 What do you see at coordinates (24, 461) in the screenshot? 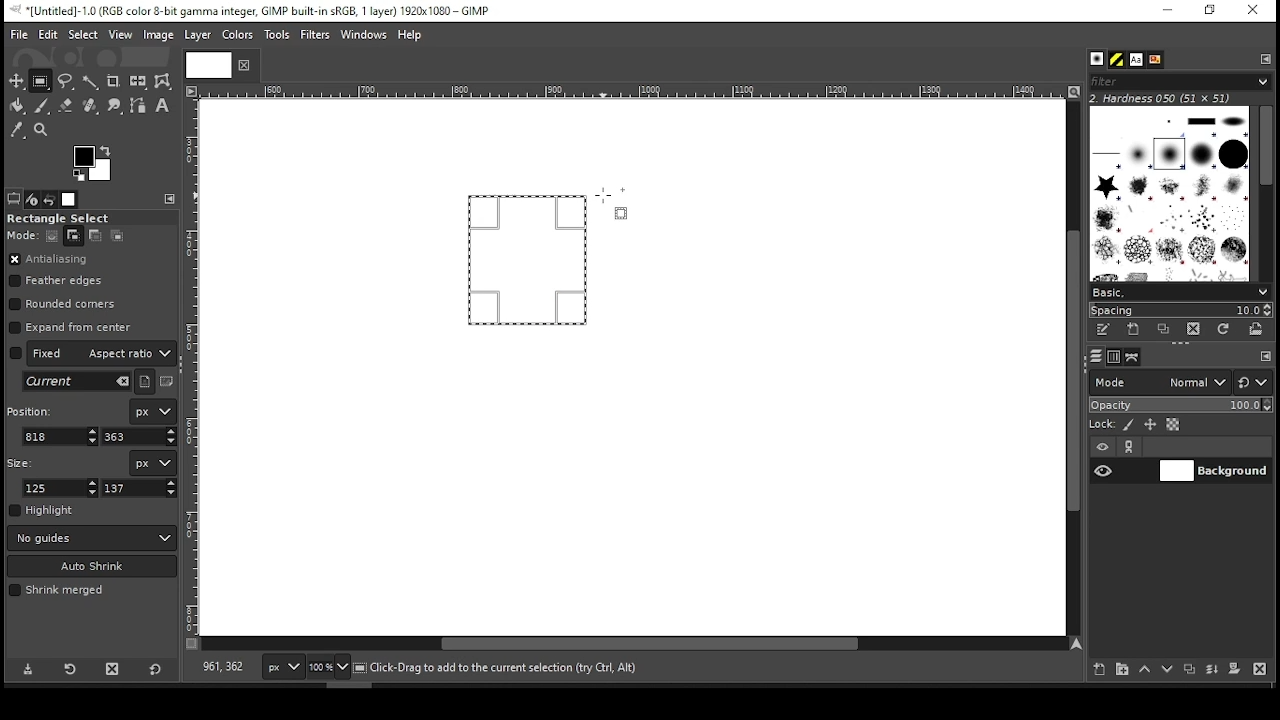
I see `size` at bounding box center [24, 461].